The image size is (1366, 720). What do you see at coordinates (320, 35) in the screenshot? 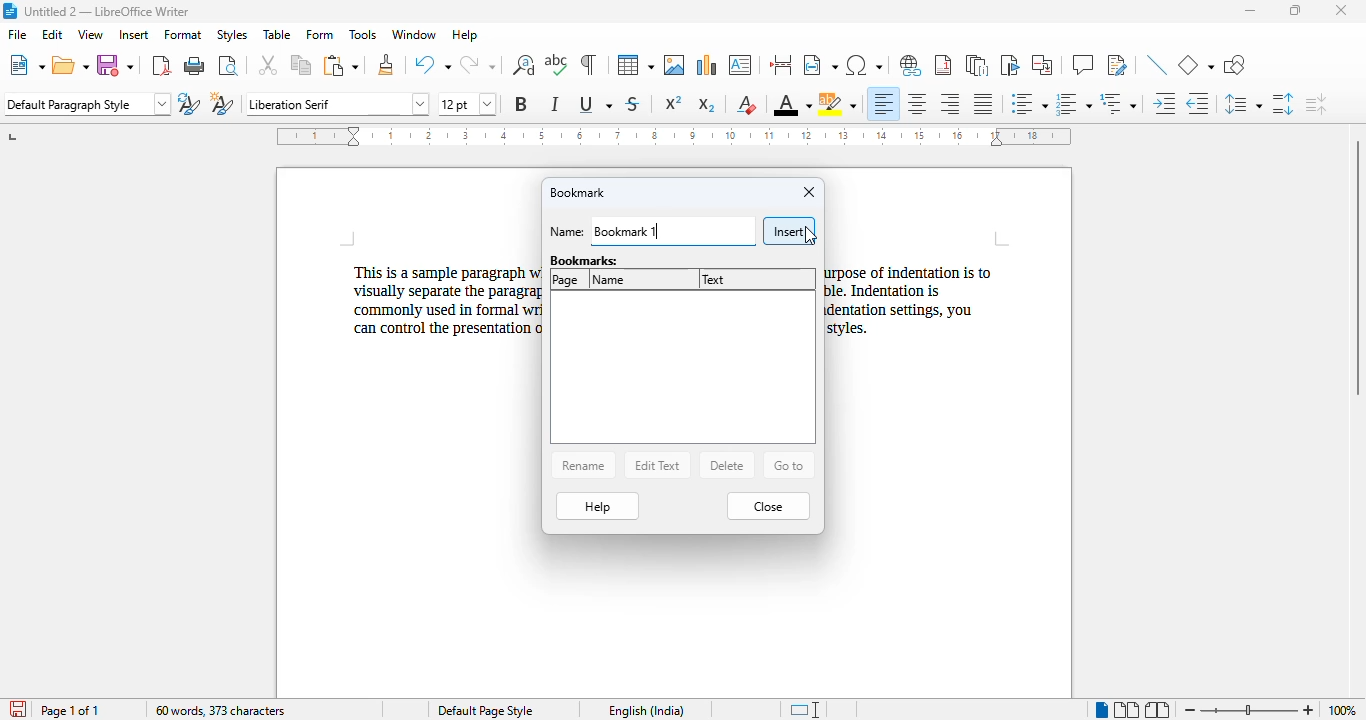
I see `form` at bounding box center [320, 35].